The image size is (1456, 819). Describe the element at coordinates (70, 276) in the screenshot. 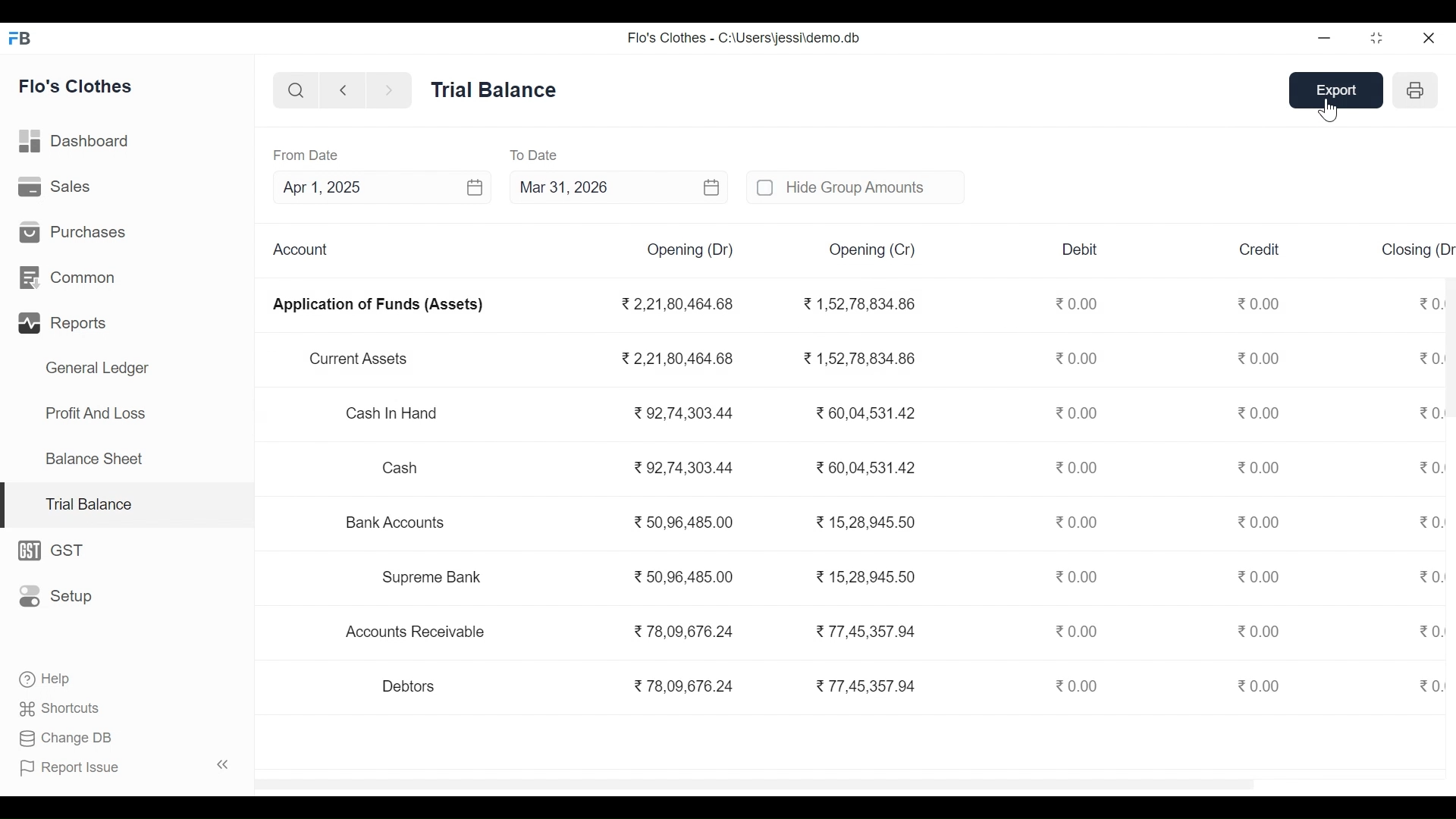

I see `Common` at that location.